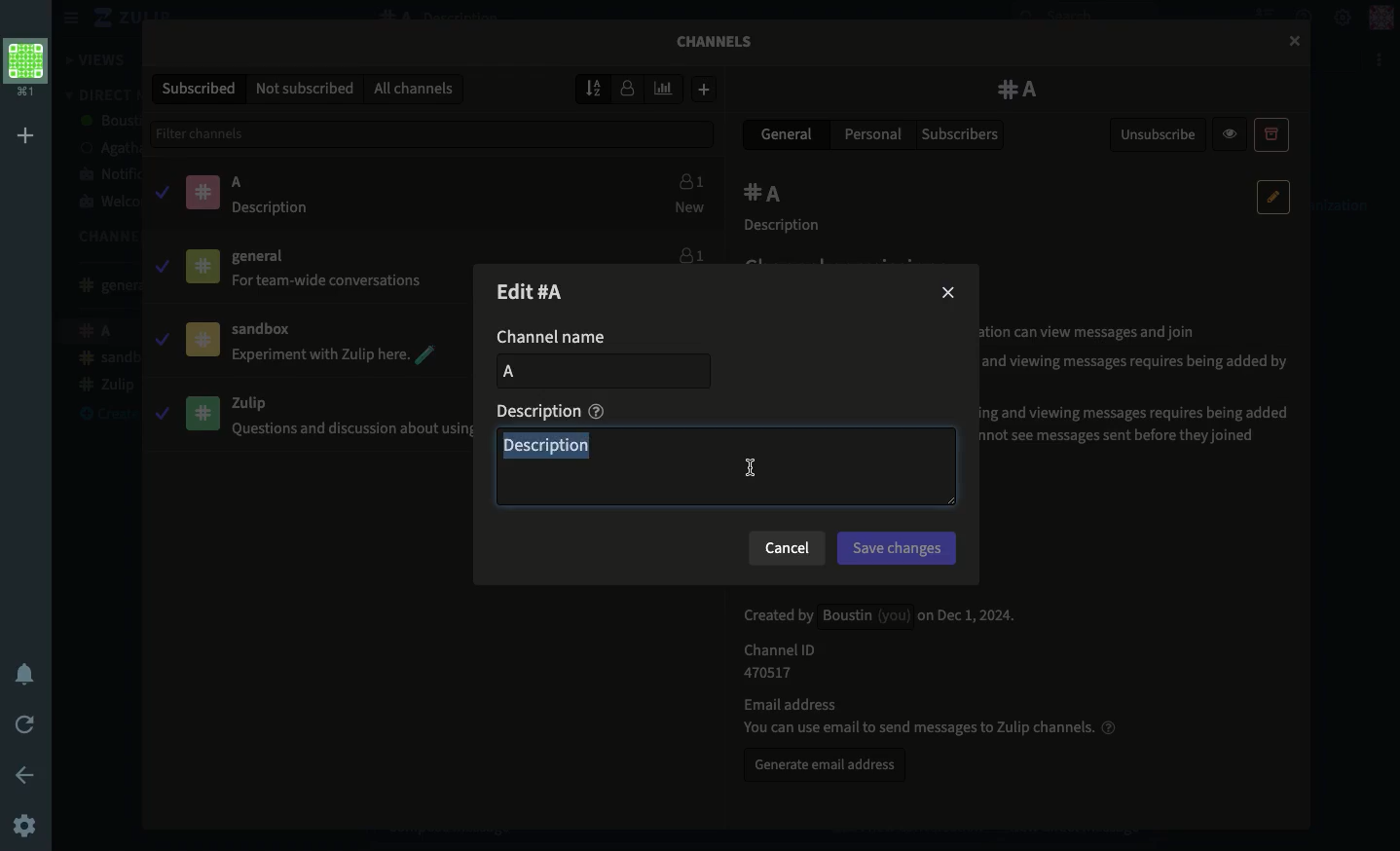  I want to click on Notification bot, so click(107, 173).